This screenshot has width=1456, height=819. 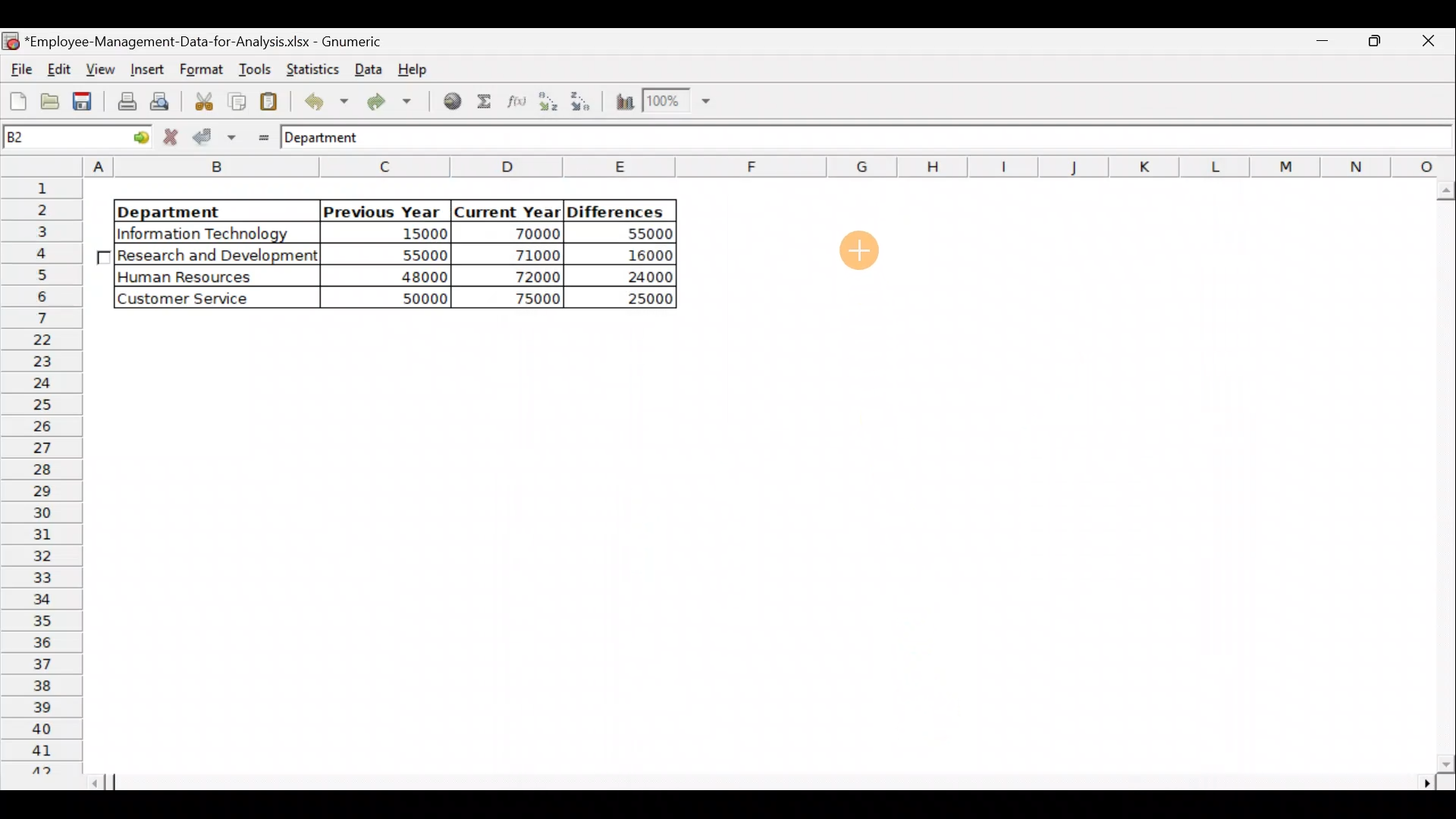 I want to click on Employee-Management-Data-for-Analysis.xlsx - Gnumeric, so click(x=214, y=40).